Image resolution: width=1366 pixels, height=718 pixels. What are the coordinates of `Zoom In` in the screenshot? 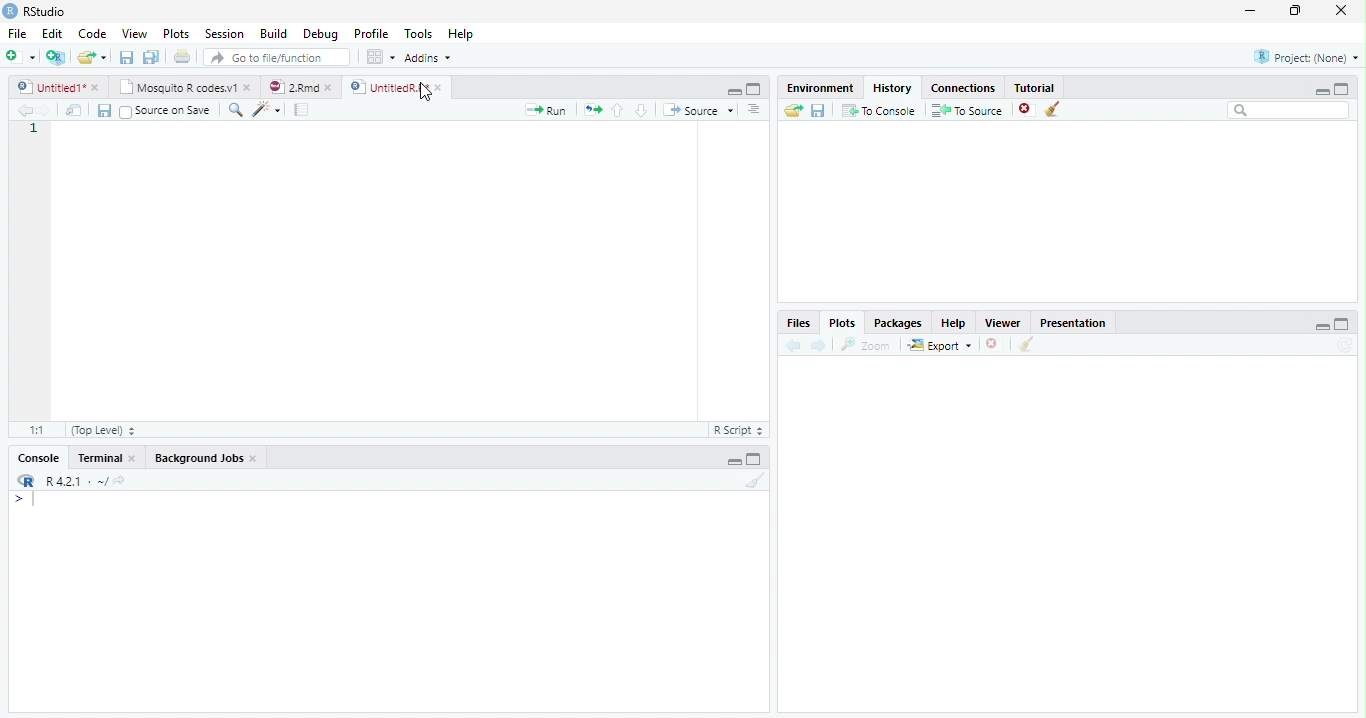 It's located at (234, 111).